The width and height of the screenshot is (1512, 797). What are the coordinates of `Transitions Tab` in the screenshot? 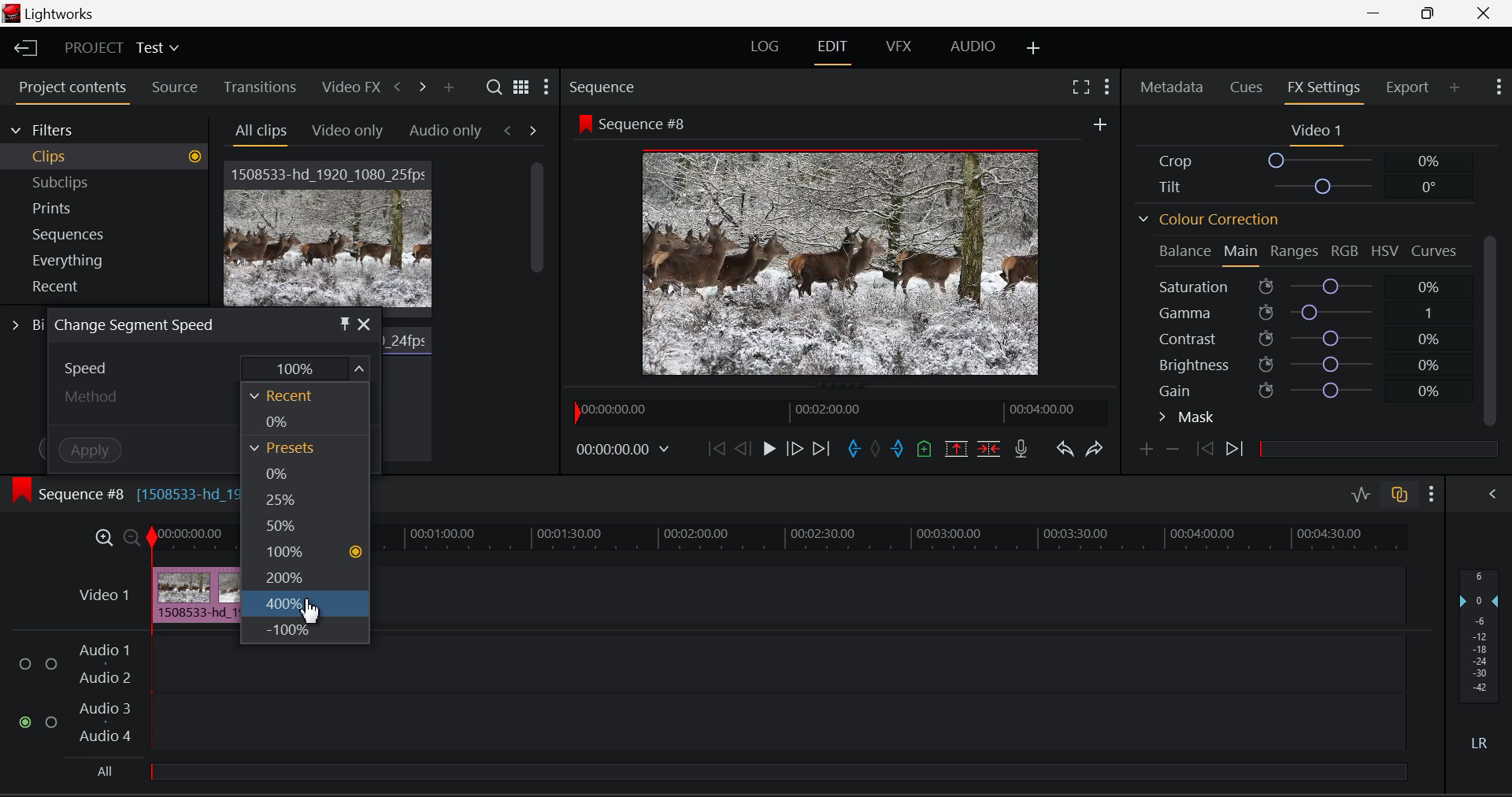 It's located at (262, 87).